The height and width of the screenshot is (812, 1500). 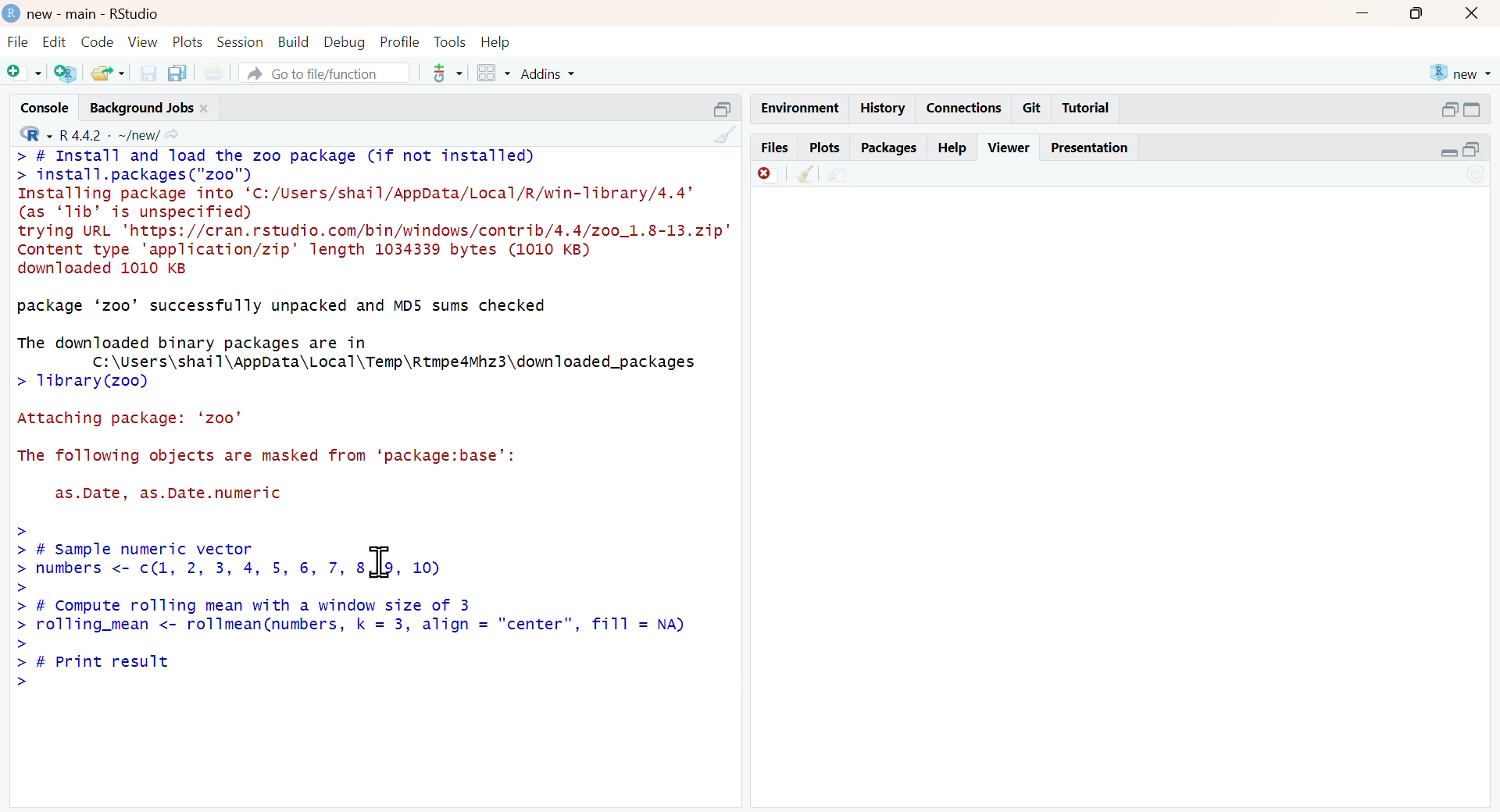 What do you see at coordinates (838, 175) in the screenshot?
I see `share file` at bounding box center [838, 175].